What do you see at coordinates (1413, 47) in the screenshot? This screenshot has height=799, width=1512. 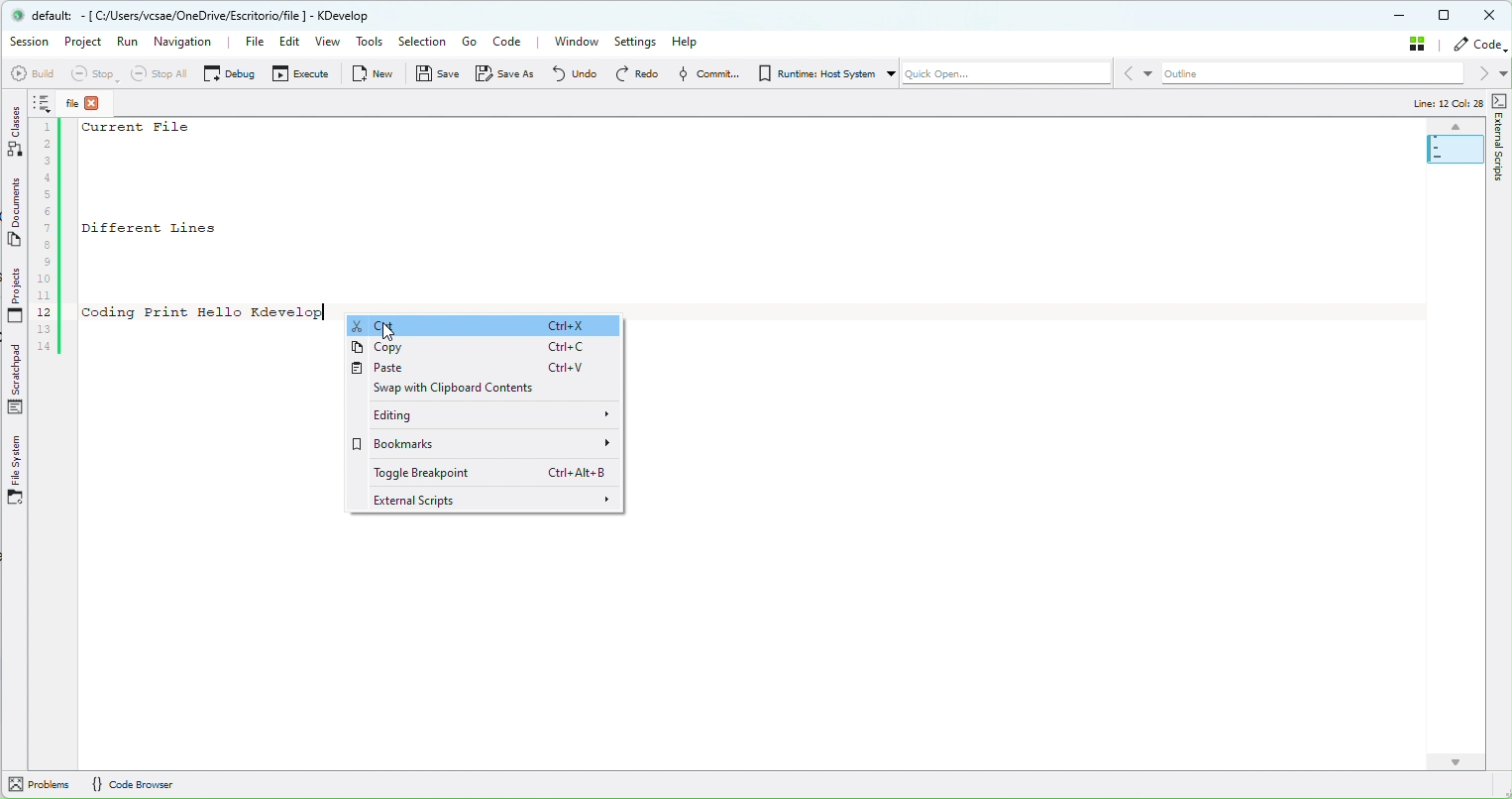 I see `Stash` at bounding box center [1413, 47].